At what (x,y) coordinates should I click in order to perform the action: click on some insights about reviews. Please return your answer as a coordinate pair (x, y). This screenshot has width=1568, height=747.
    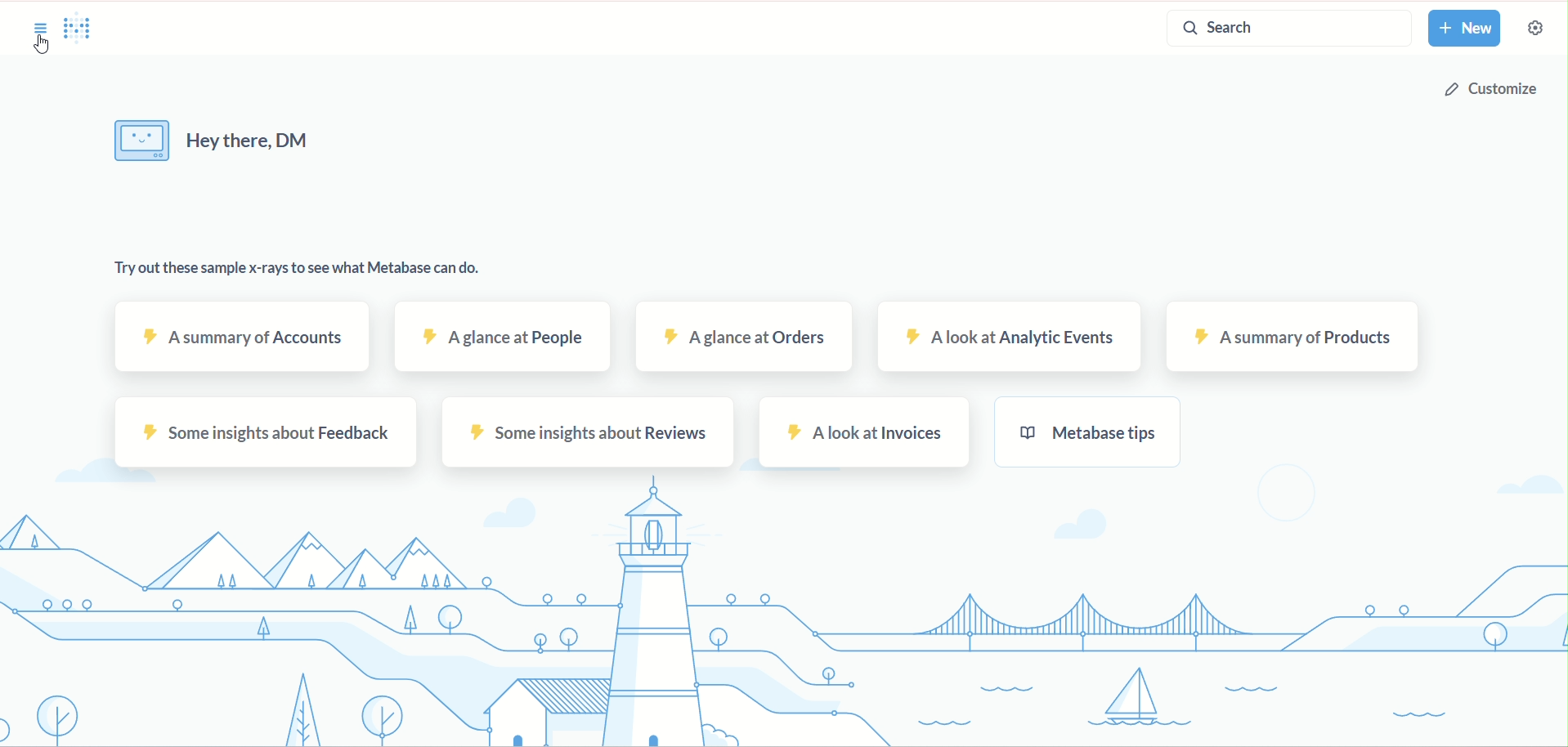
    Looking at the image, I should click on (592, 432).